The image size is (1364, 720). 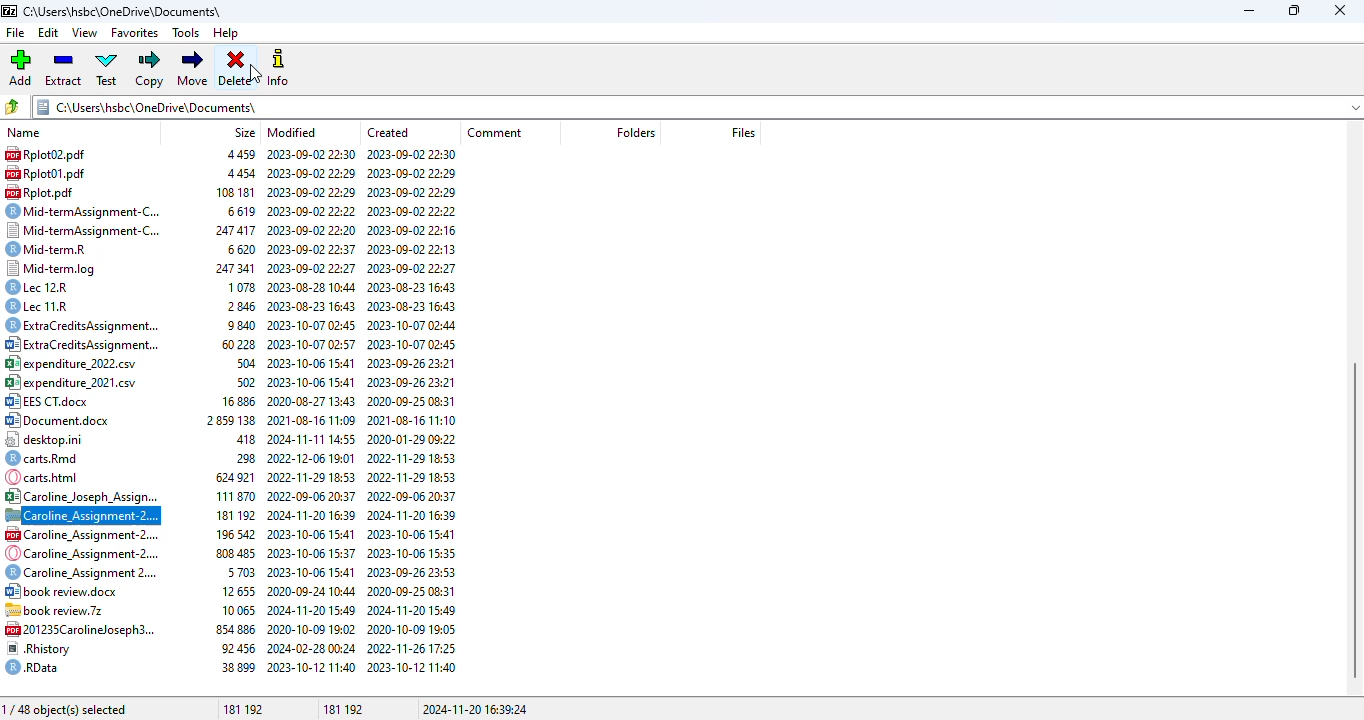 I want to click on favorites, so click(x=135, y=33).